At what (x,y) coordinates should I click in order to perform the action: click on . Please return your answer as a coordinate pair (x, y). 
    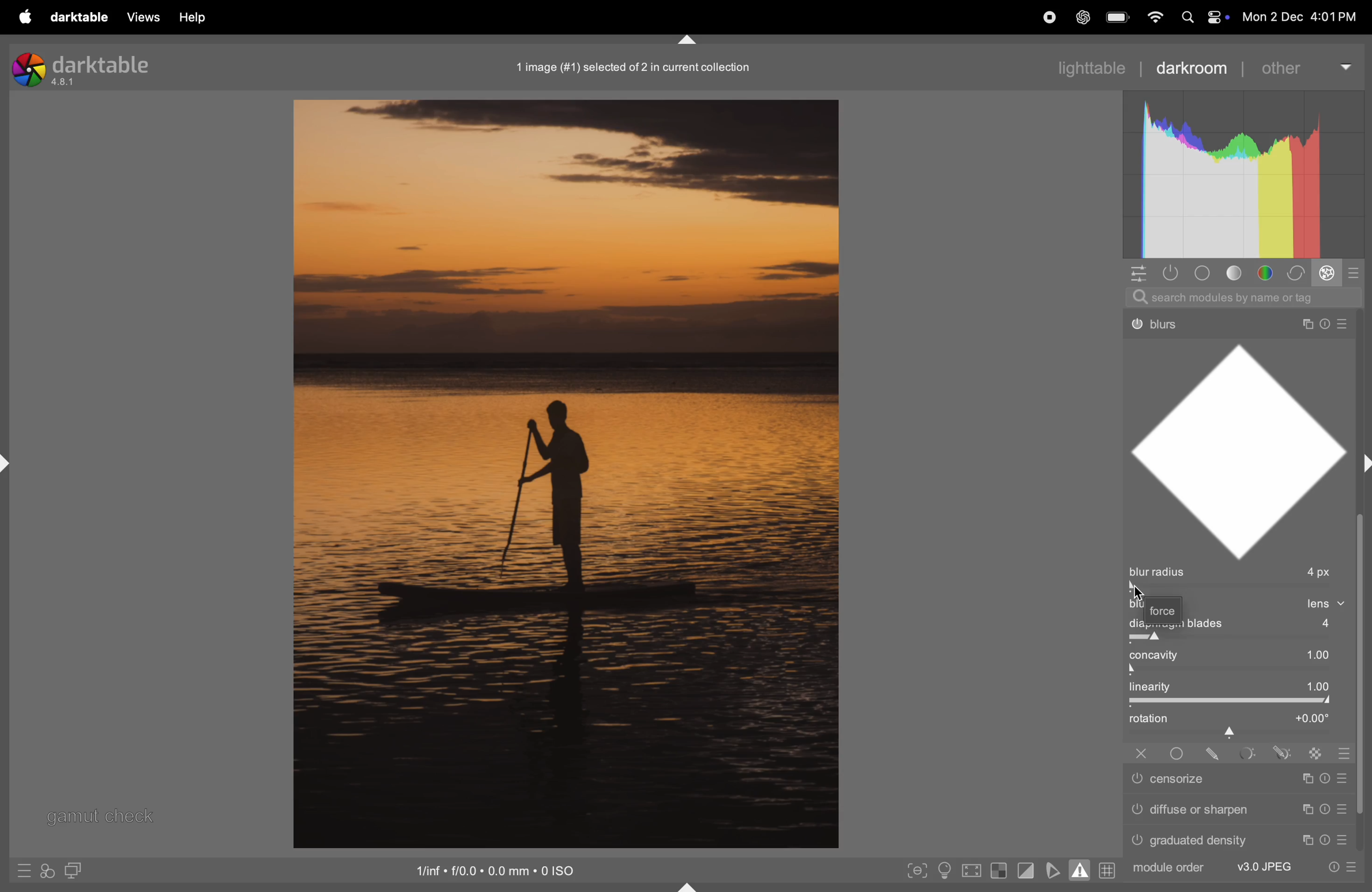
    Looking at the image, I should click on (1237, 810).